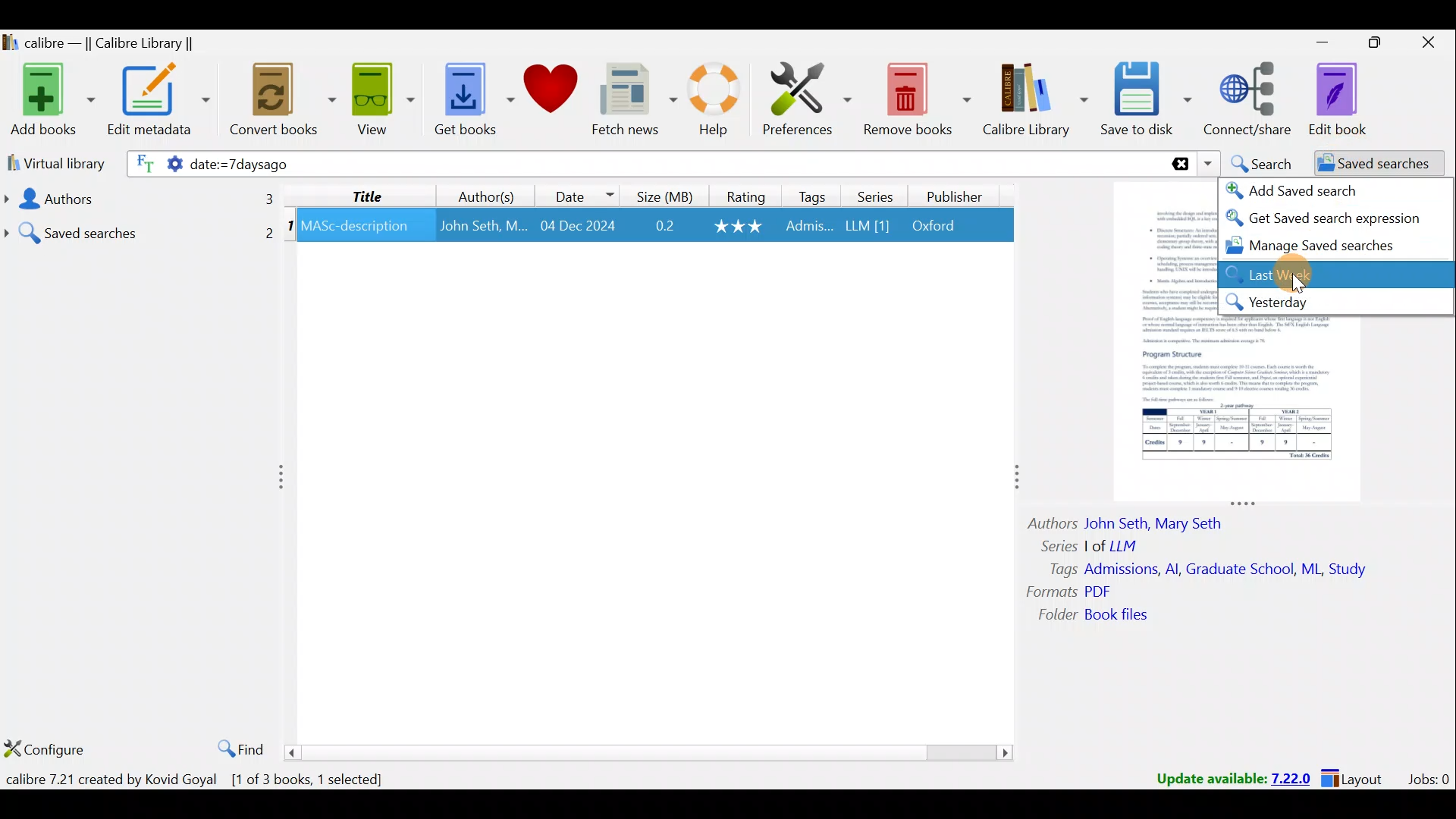 The width and height of the screenshot is (1456, 819). Describe the element at coordinates (1246, 406) in the screenshot. I see `Book preview` at that location.